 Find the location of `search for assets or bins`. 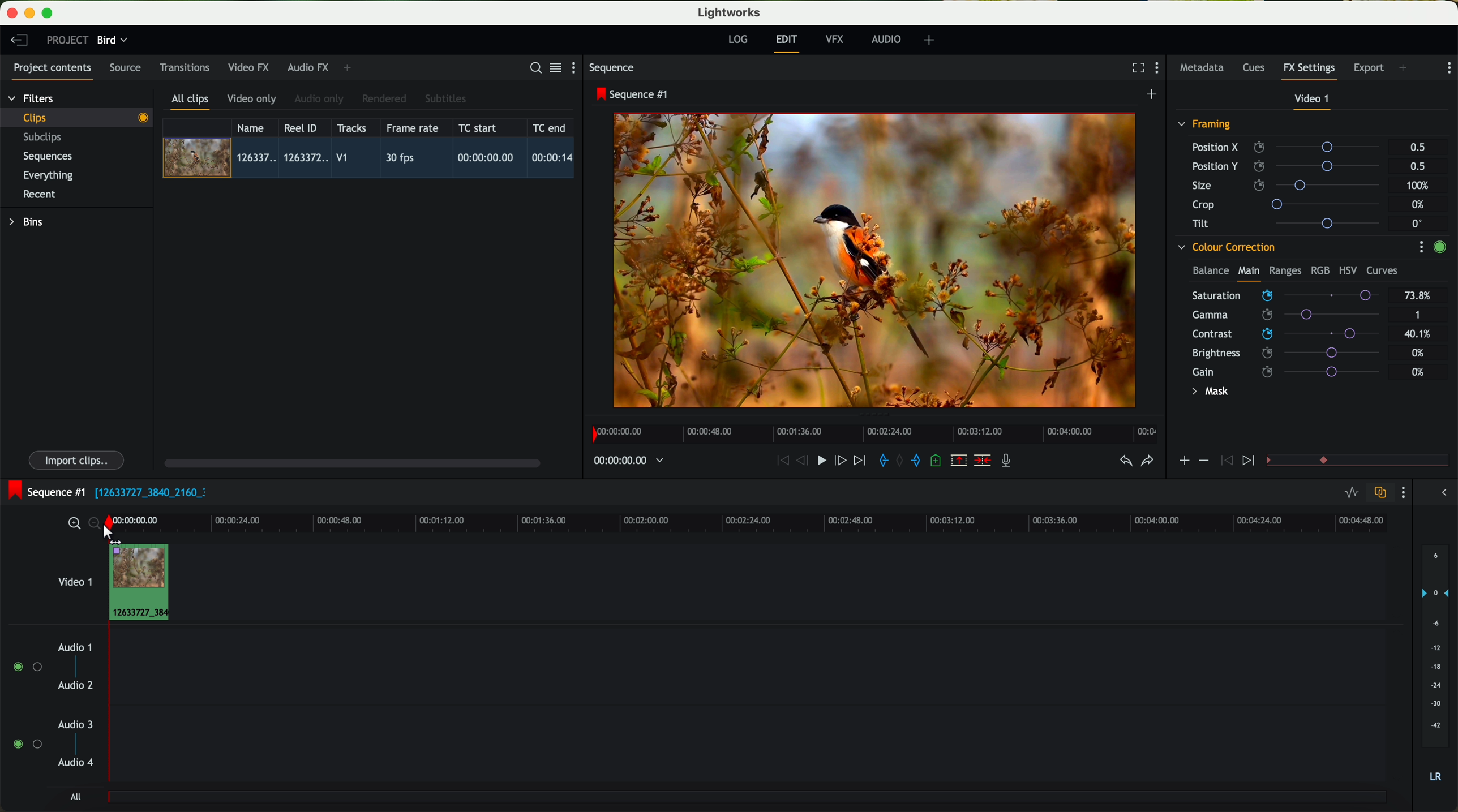

search for assets or bins is located at coordinates (532, 68).